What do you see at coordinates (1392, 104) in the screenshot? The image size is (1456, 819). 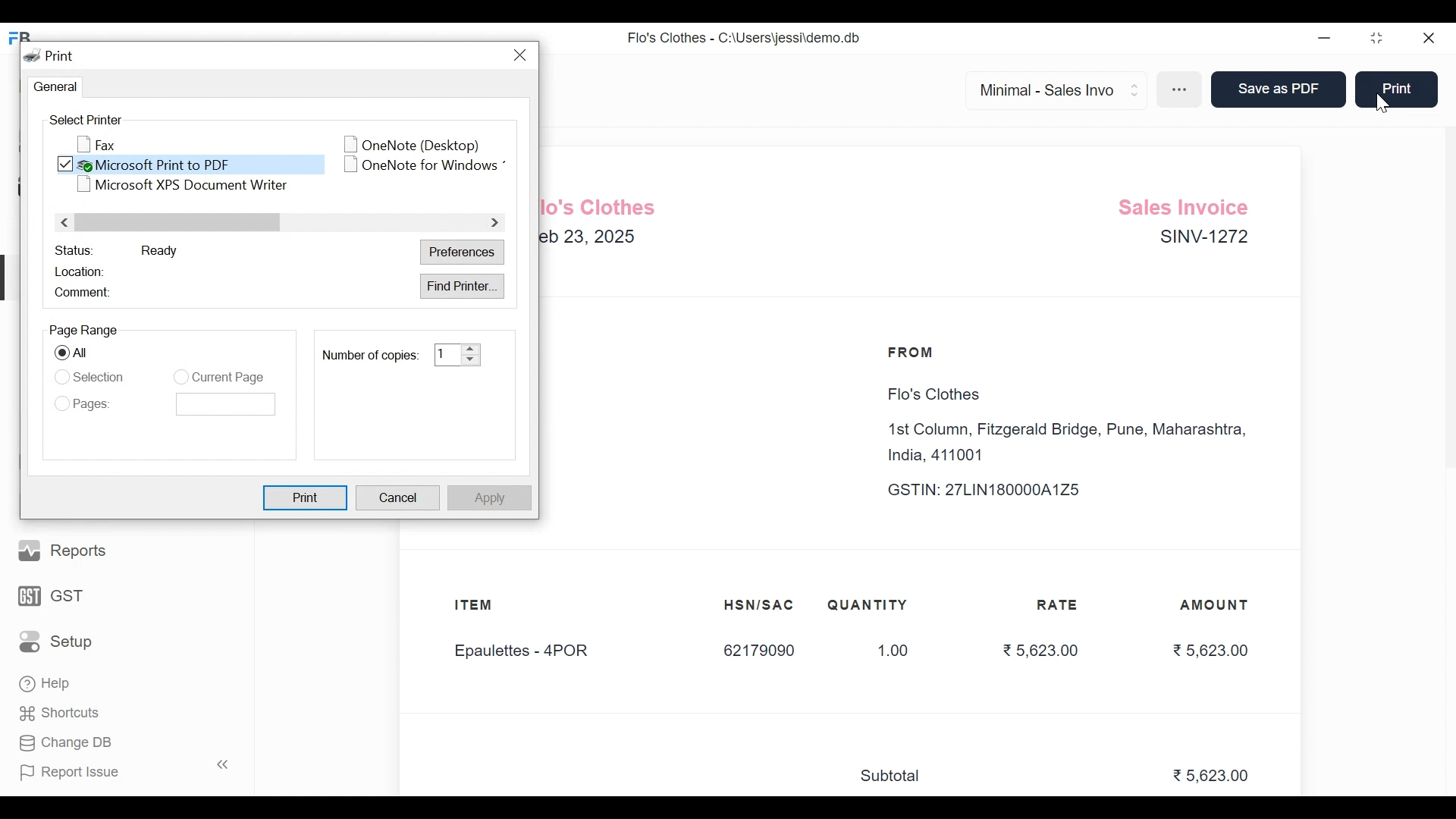 I see `cursor` at bounding box center [1392, 104].